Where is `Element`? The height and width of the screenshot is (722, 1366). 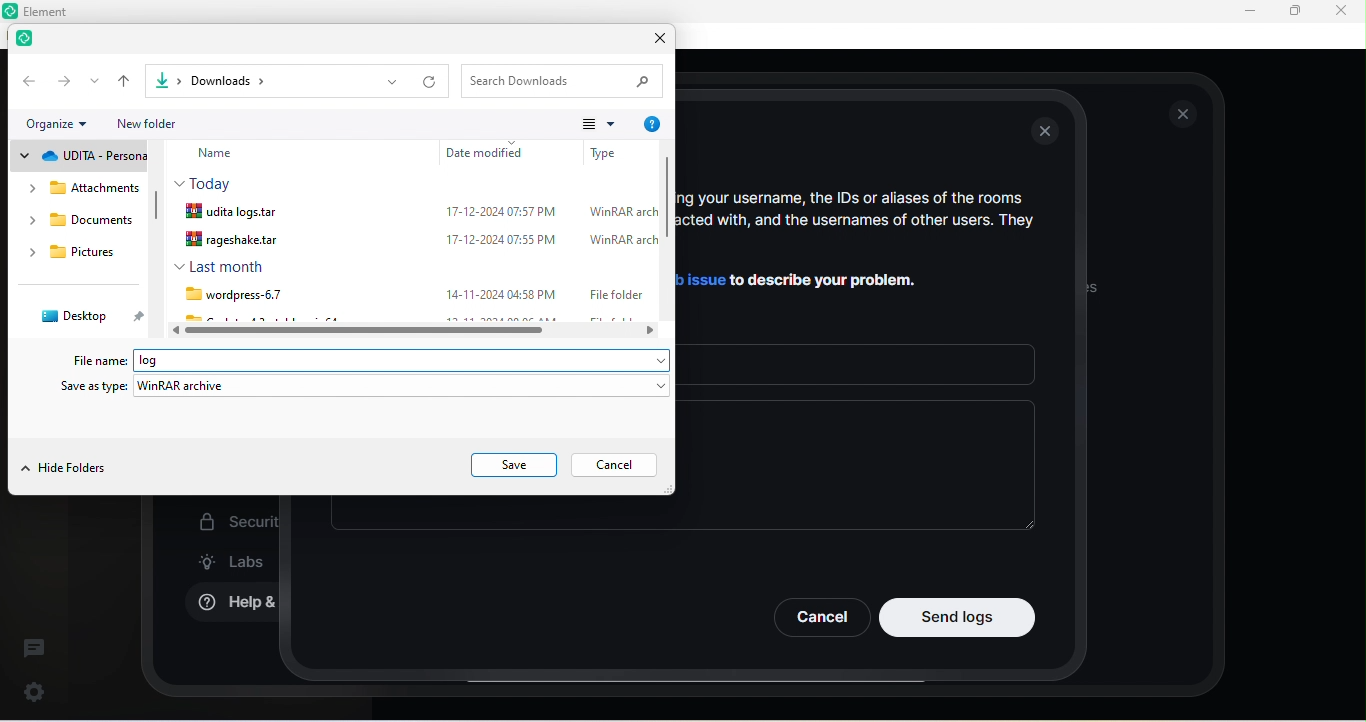 Element is located at coordinates (54, 11).